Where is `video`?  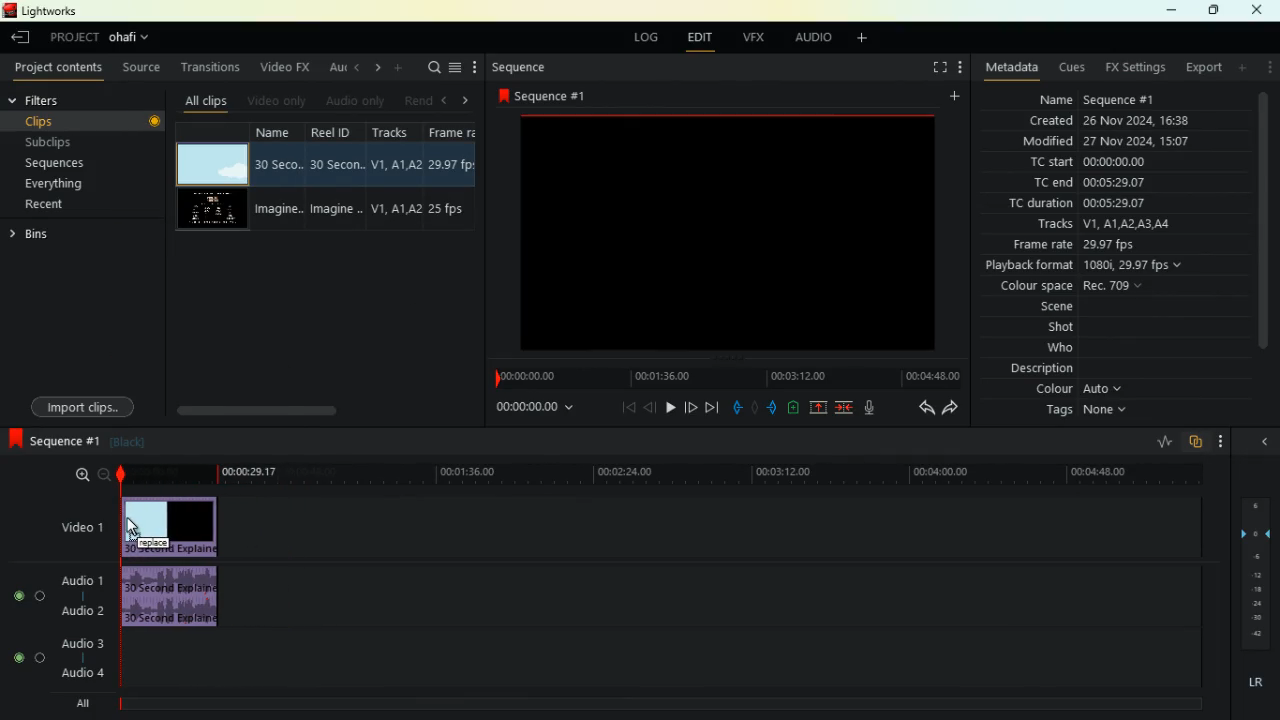 video is located at coordinates (213, 162).